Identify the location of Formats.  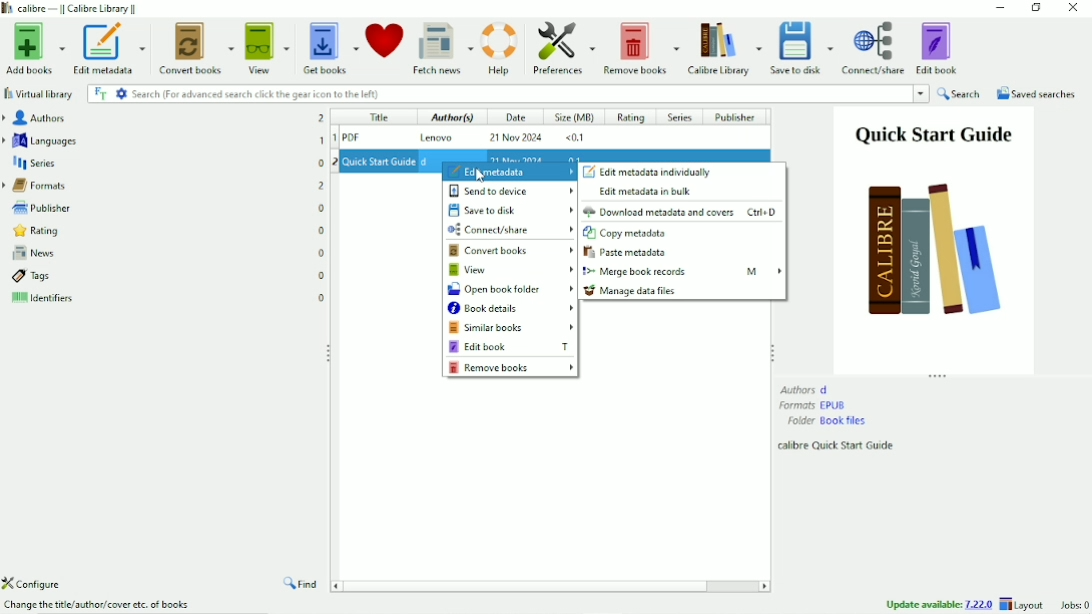
(814, 405).